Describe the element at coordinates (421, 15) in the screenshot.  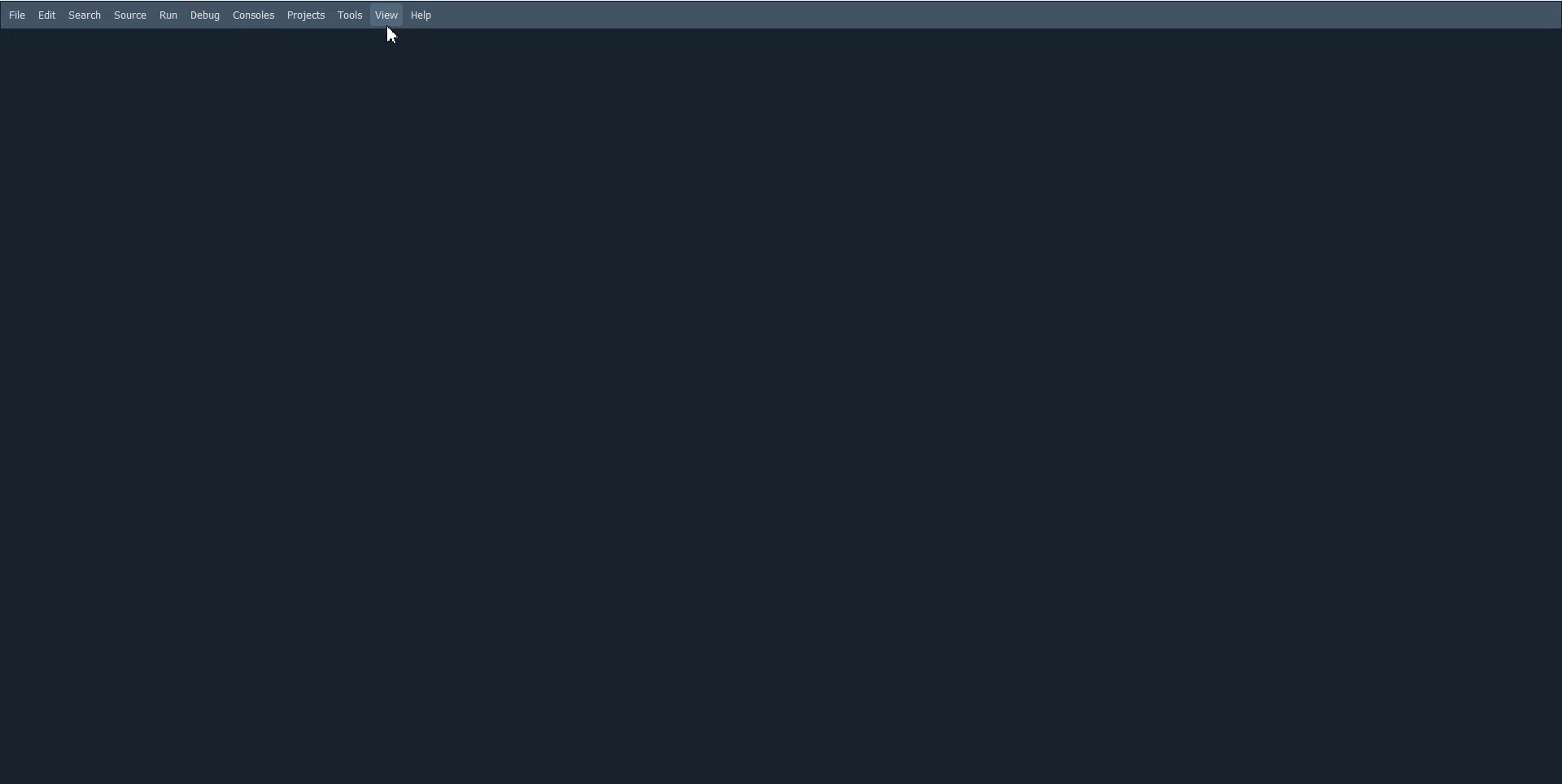
I see `Help` at that location.